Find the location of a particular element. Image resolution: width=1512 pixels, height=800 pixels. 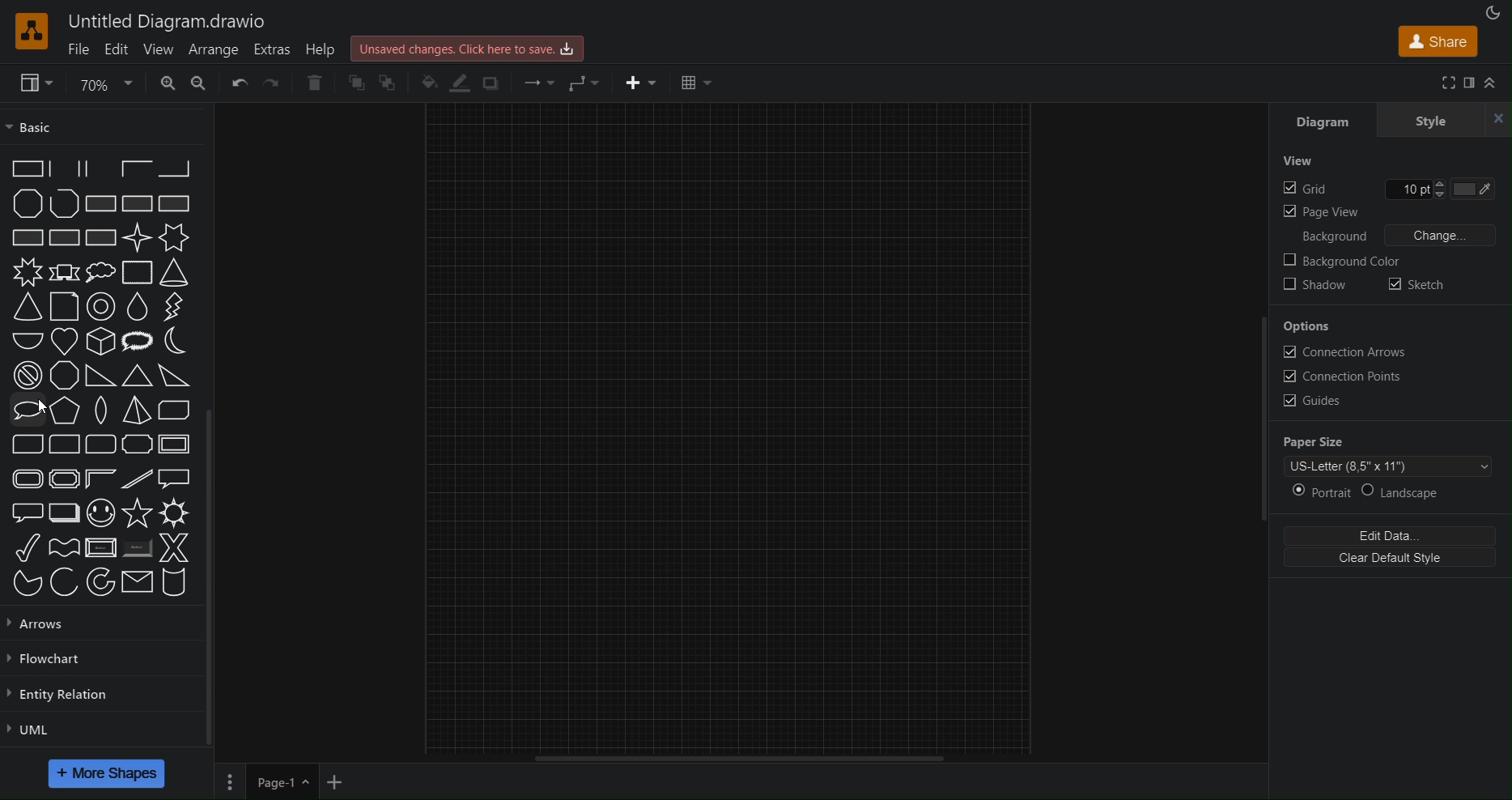

Clear Default Style is located at coordinates (1395, 560).